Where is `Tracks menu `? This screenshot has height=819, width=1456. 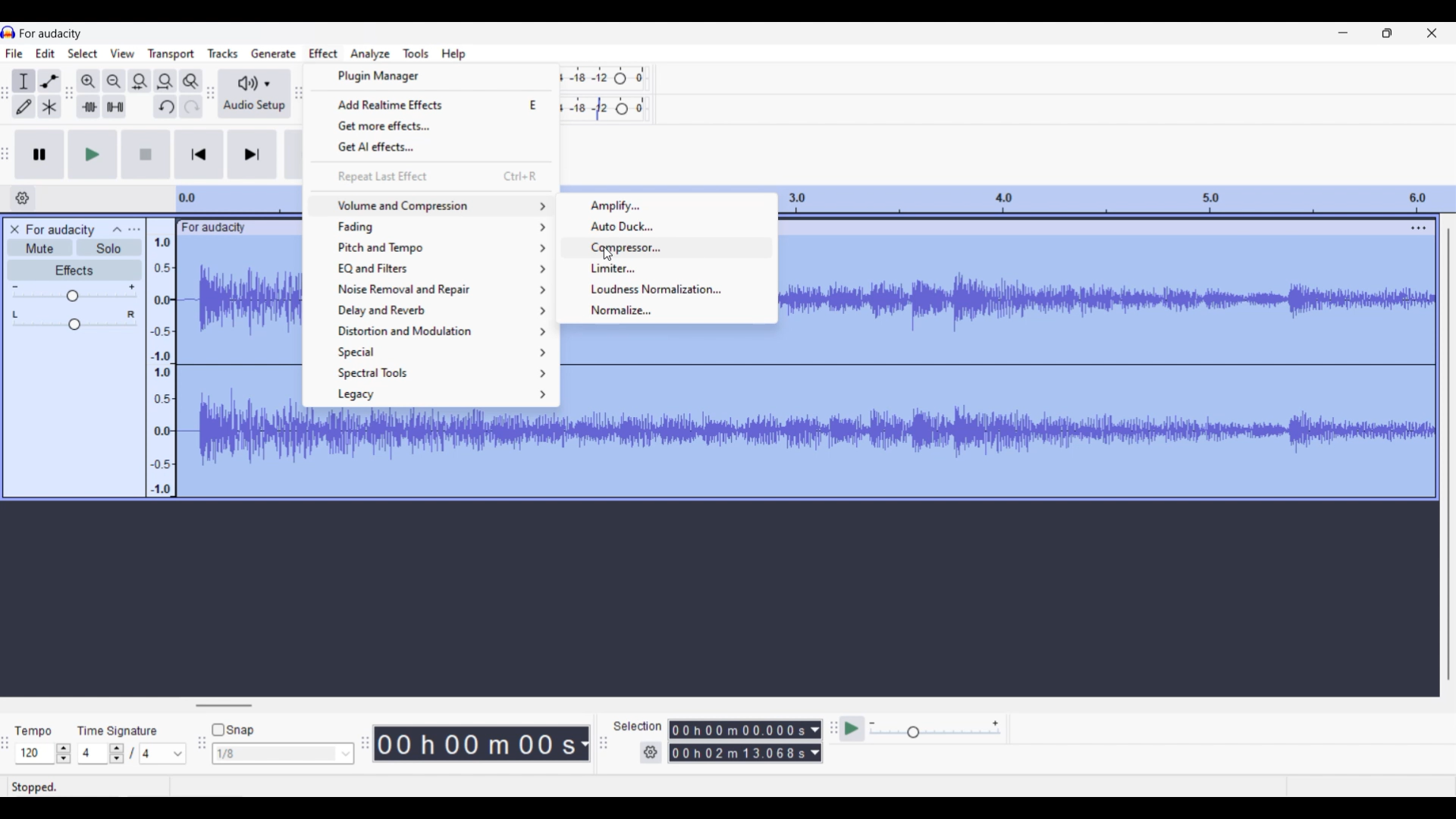 Tracks menu  is located at coordinates (222, 53).